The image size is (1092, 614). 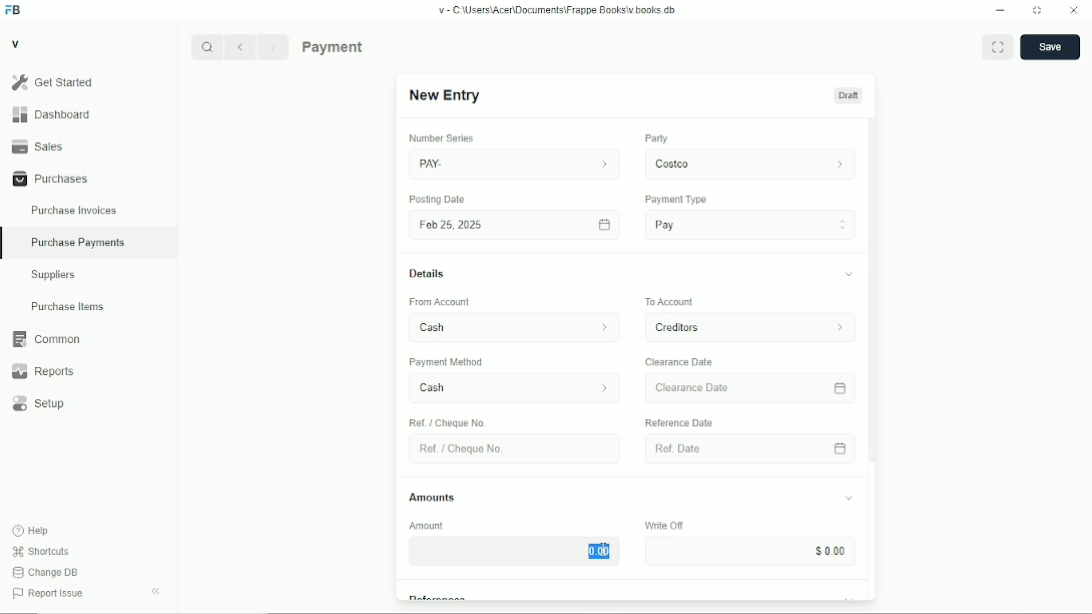 What do you see at coordinates (88, 114) in the screenshot?
I see `Dashboard` at bounding box center [88, 114].